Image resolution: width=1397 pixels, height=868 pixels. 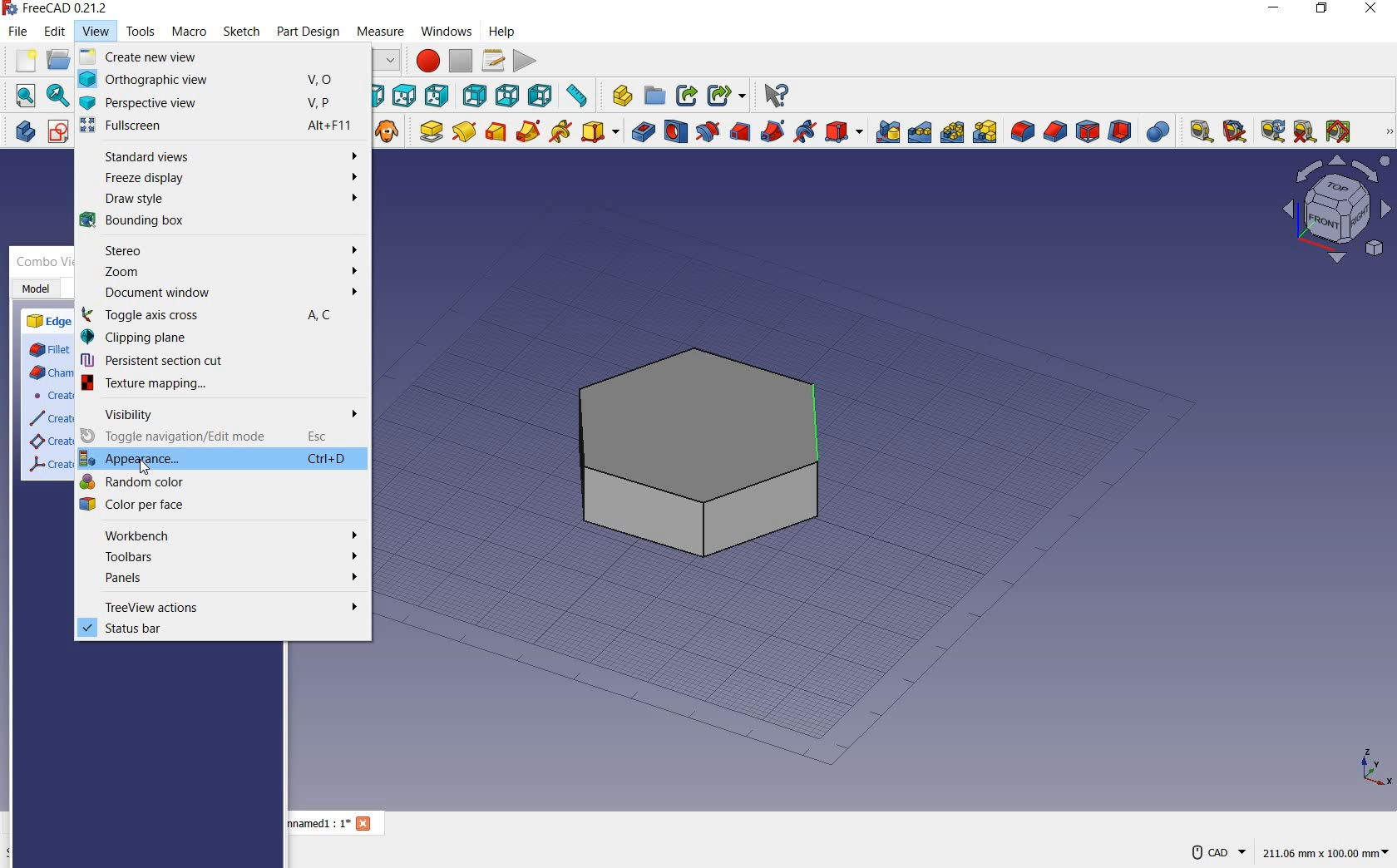 What do you see at coordinates (219, 534) in the screenshot?
I see `workbench` at bounding box center [219, 534].